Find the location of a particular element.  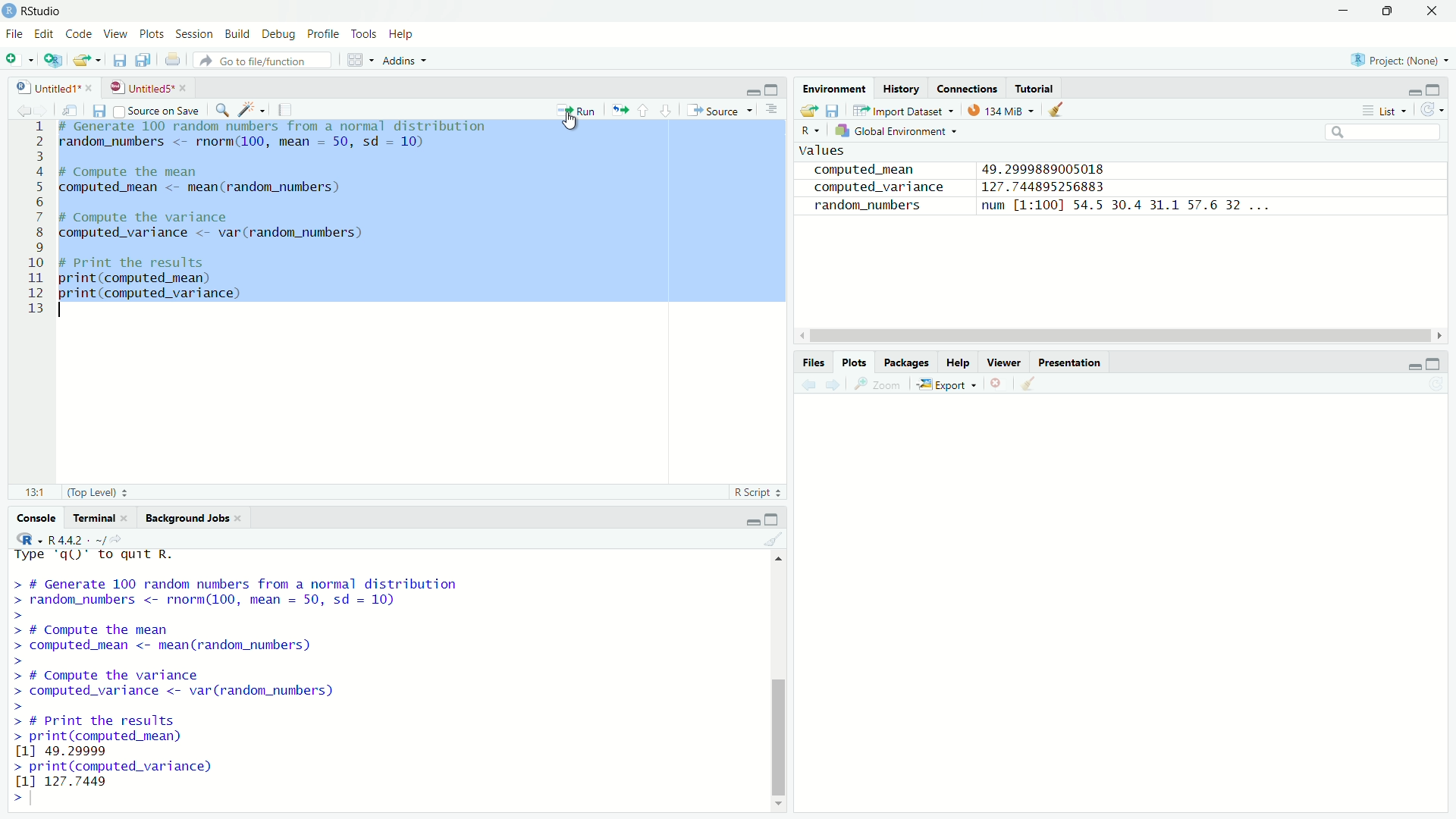

# Print the results is located at coordinates (168, 264).